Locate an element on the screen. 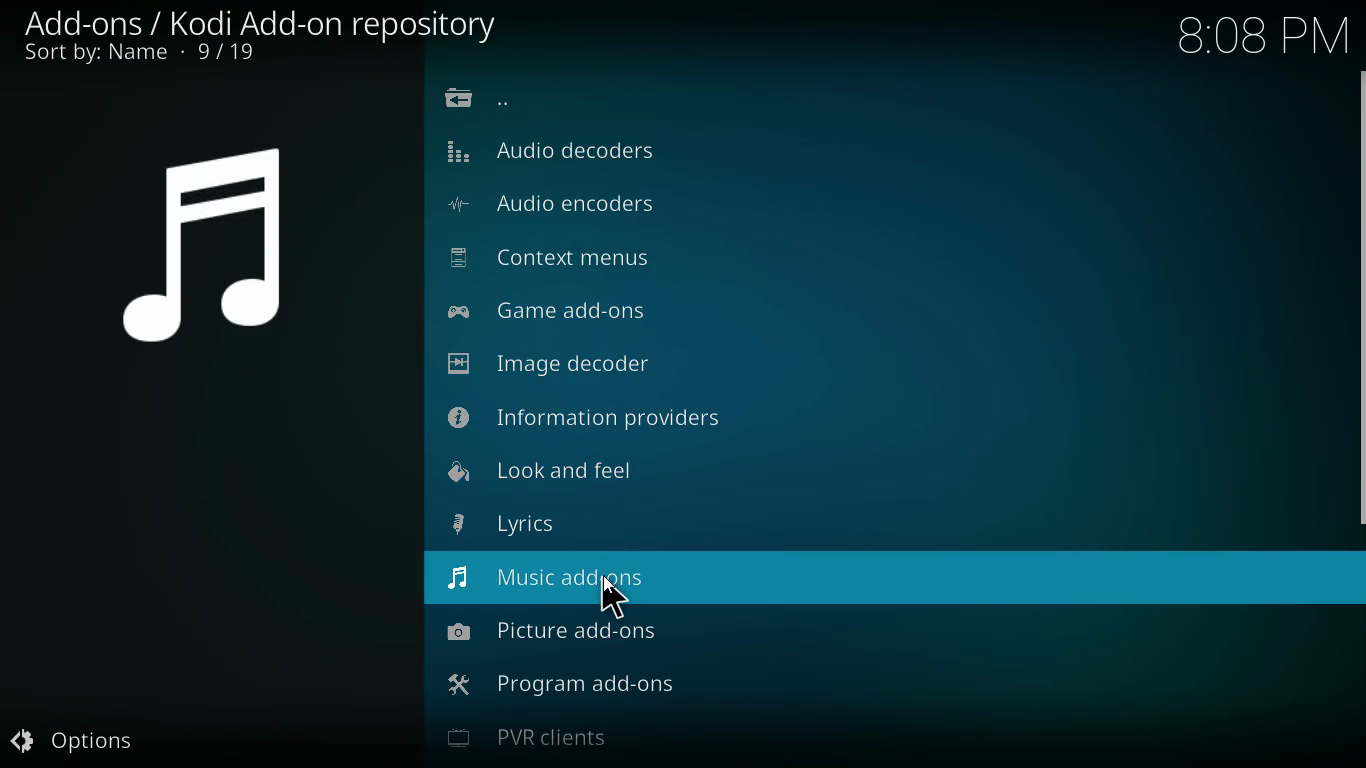 This screenshot has height=768, width=1366. previous is located at coordinates (488, 98).